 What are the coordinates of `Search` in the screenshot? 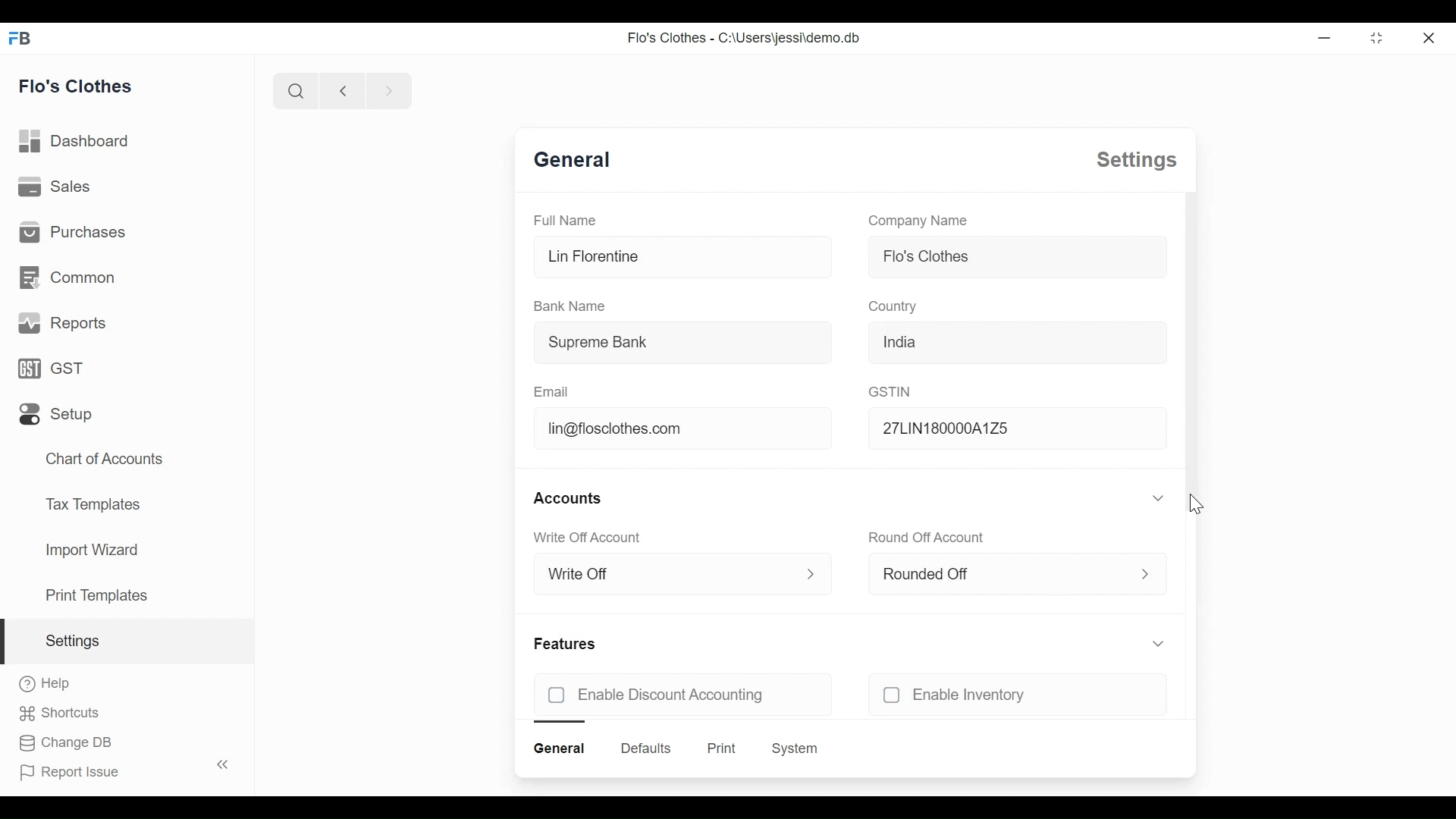 It's located at (293, 91).